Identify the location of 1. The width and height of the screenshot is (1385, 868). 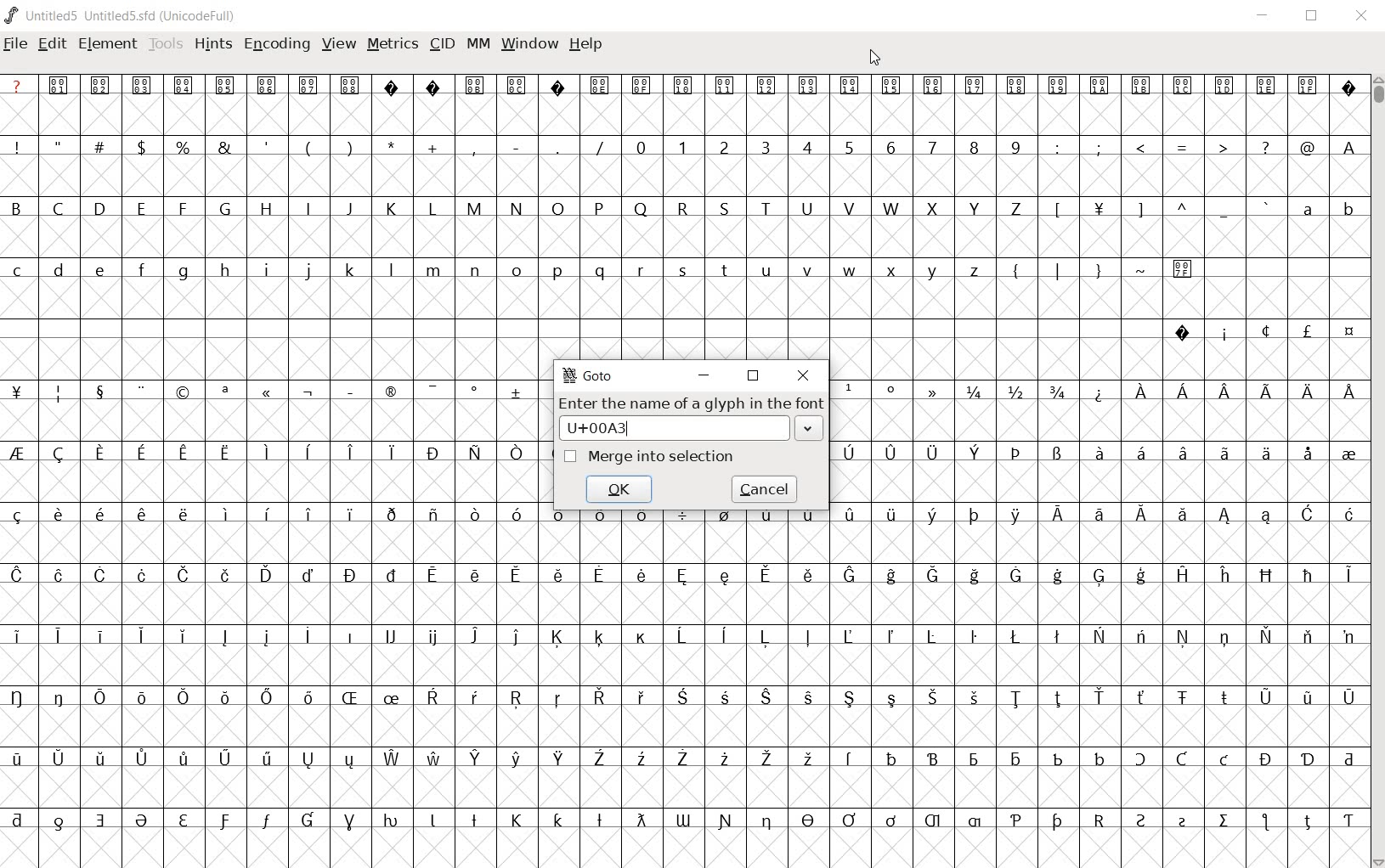
(681, 146).